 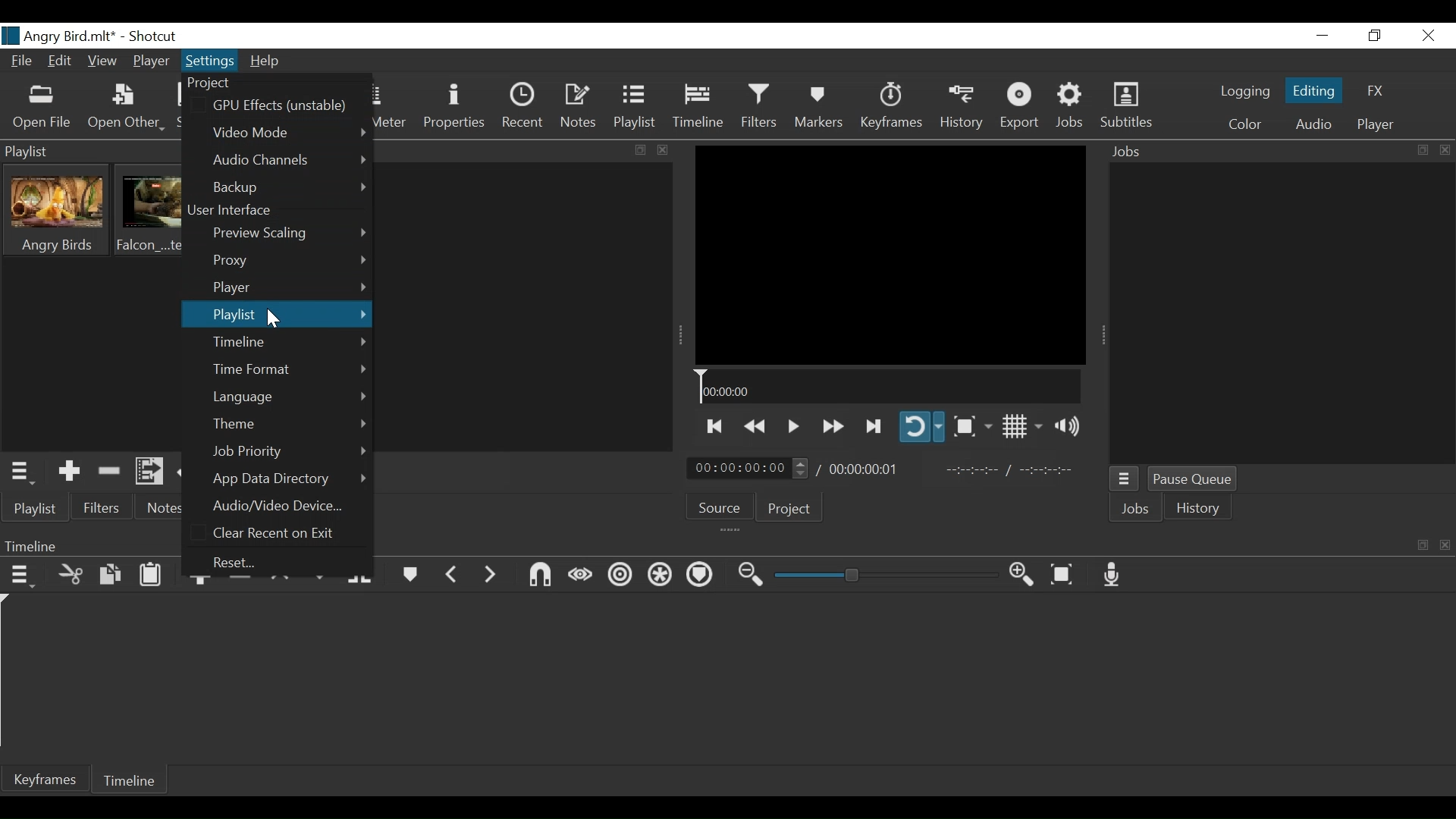 I want to click on Copy, so click(x=111, y=577).